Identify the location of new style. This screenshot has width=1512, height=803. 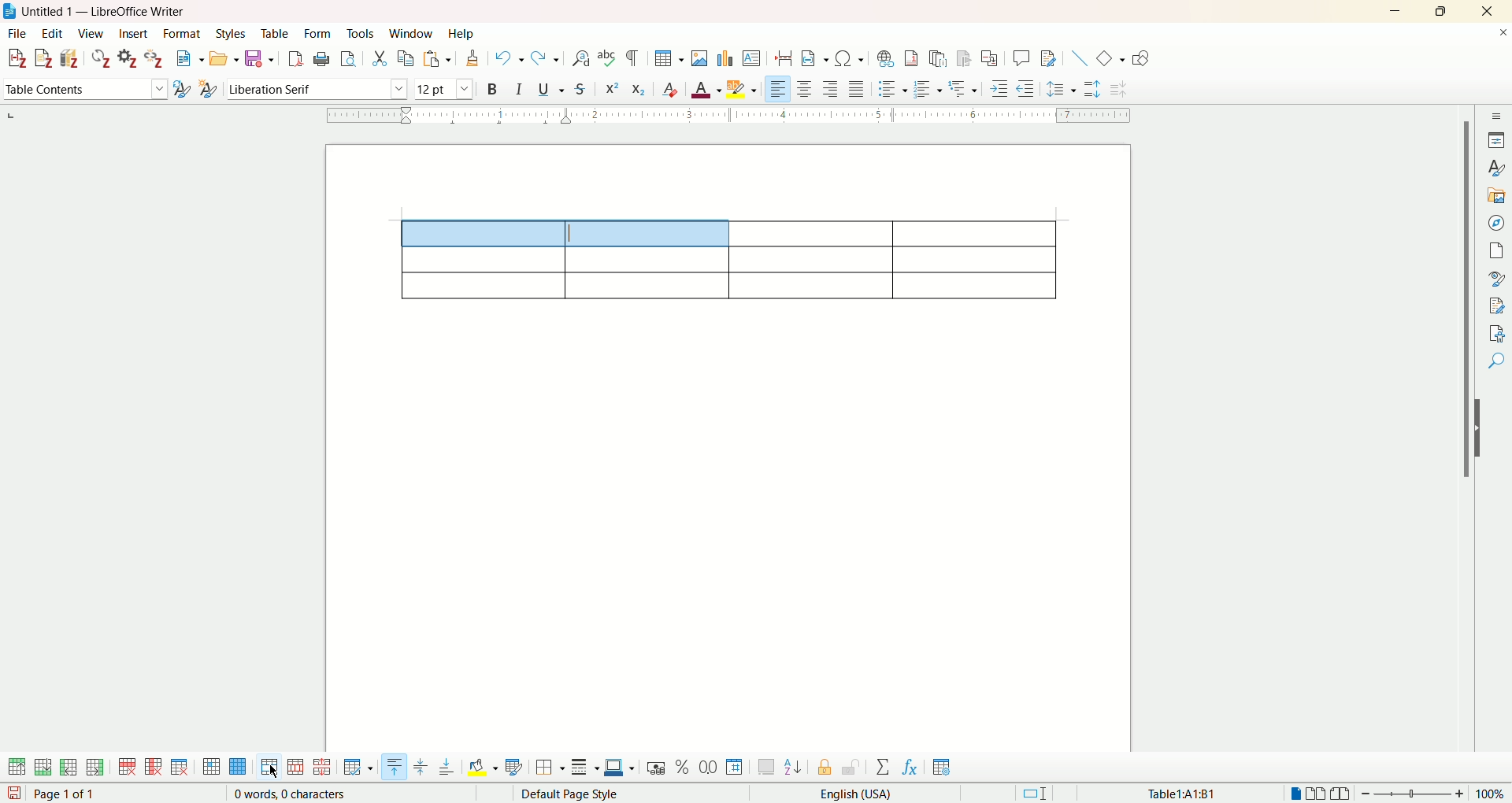
(206, 88).